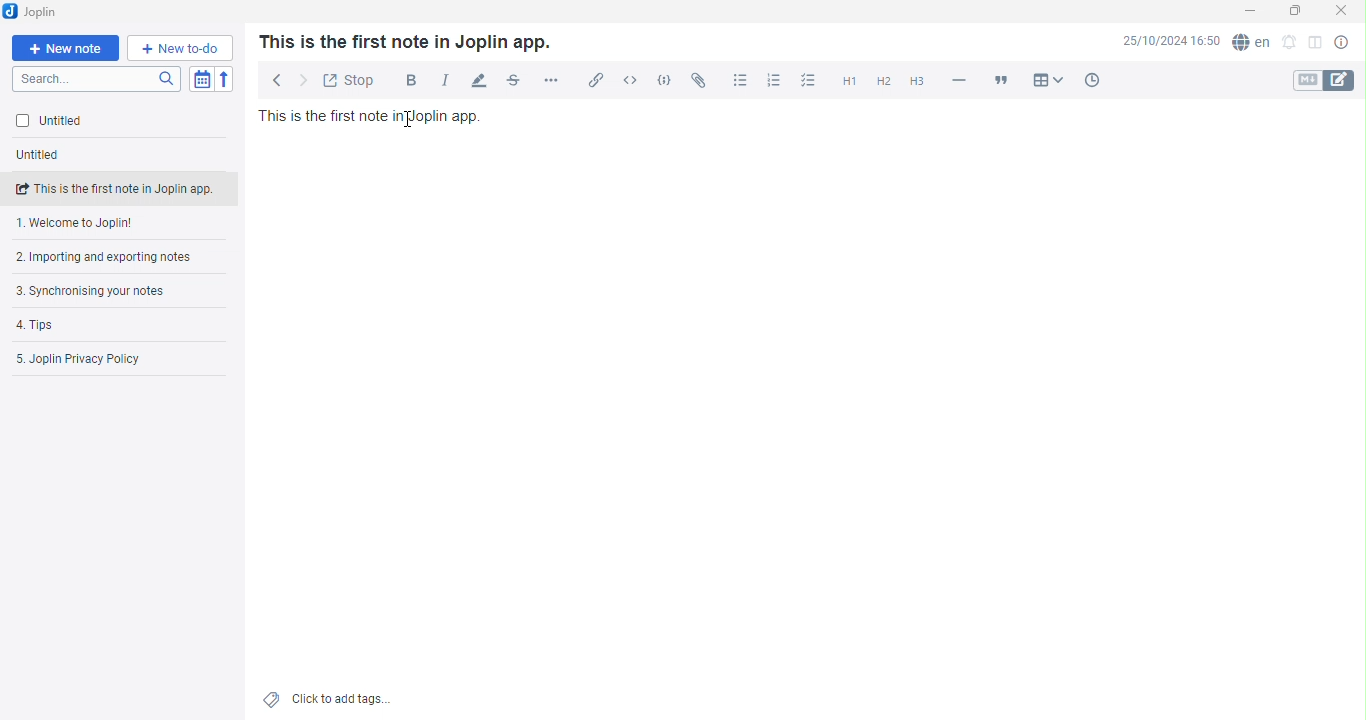 Image resolution: width=1366 pixels, height=720 pixels. What do you see at coordinates (1321, 81) in the screenshot?
I see `Toggle editors` at bounding box center [1321, 81].